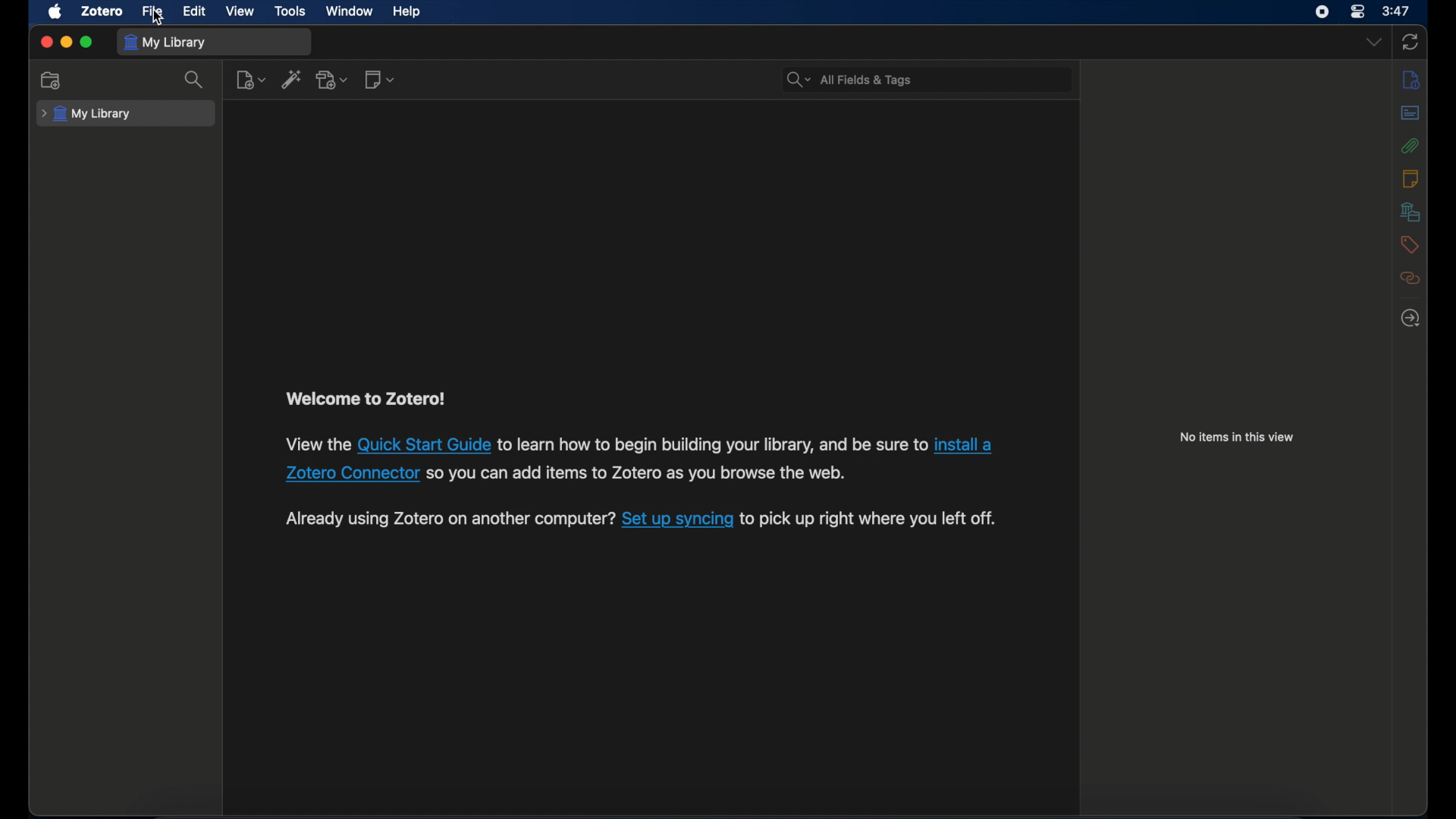 Image resolution: width=1456 pixels, height=819 pixels. Describe the element at coordinates (1414, 80) in the screenshot. I see `info` at that location.